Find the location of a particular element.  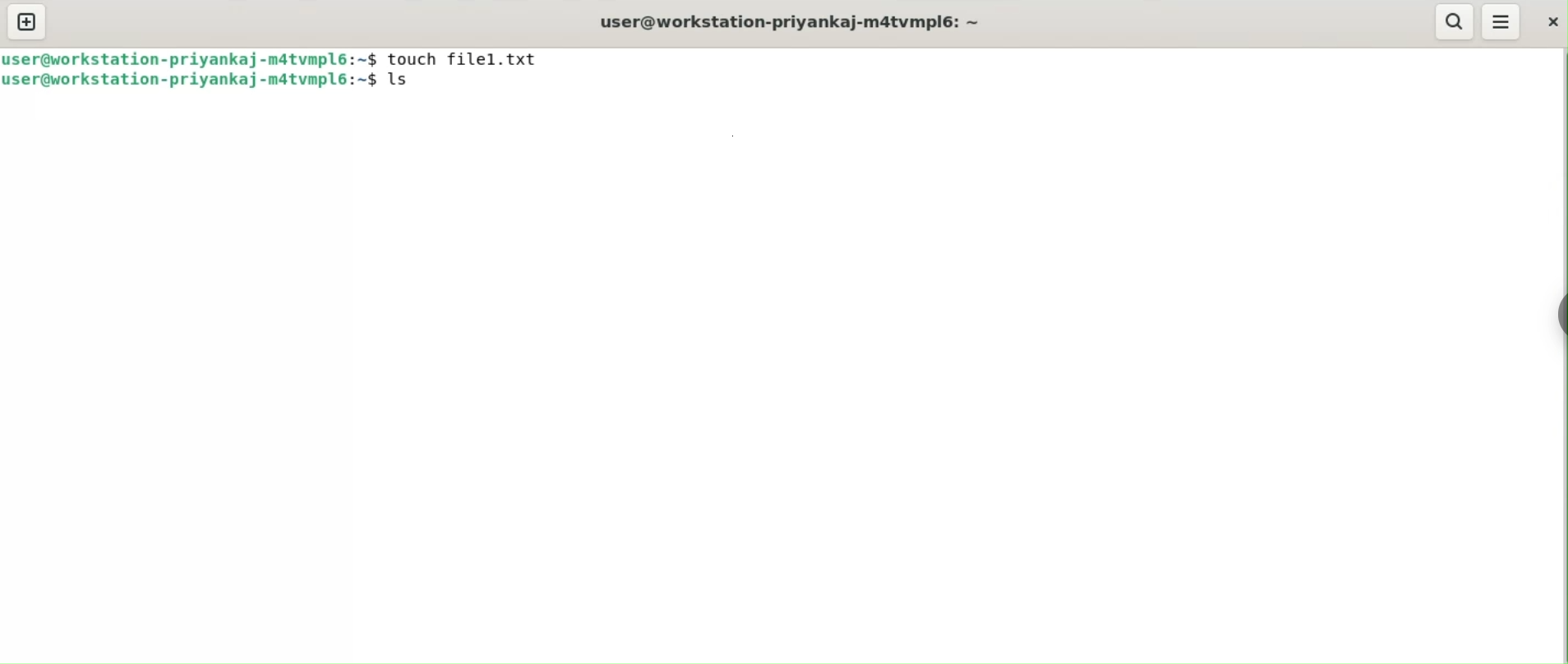

new tab is located at coordinates (28, 21).